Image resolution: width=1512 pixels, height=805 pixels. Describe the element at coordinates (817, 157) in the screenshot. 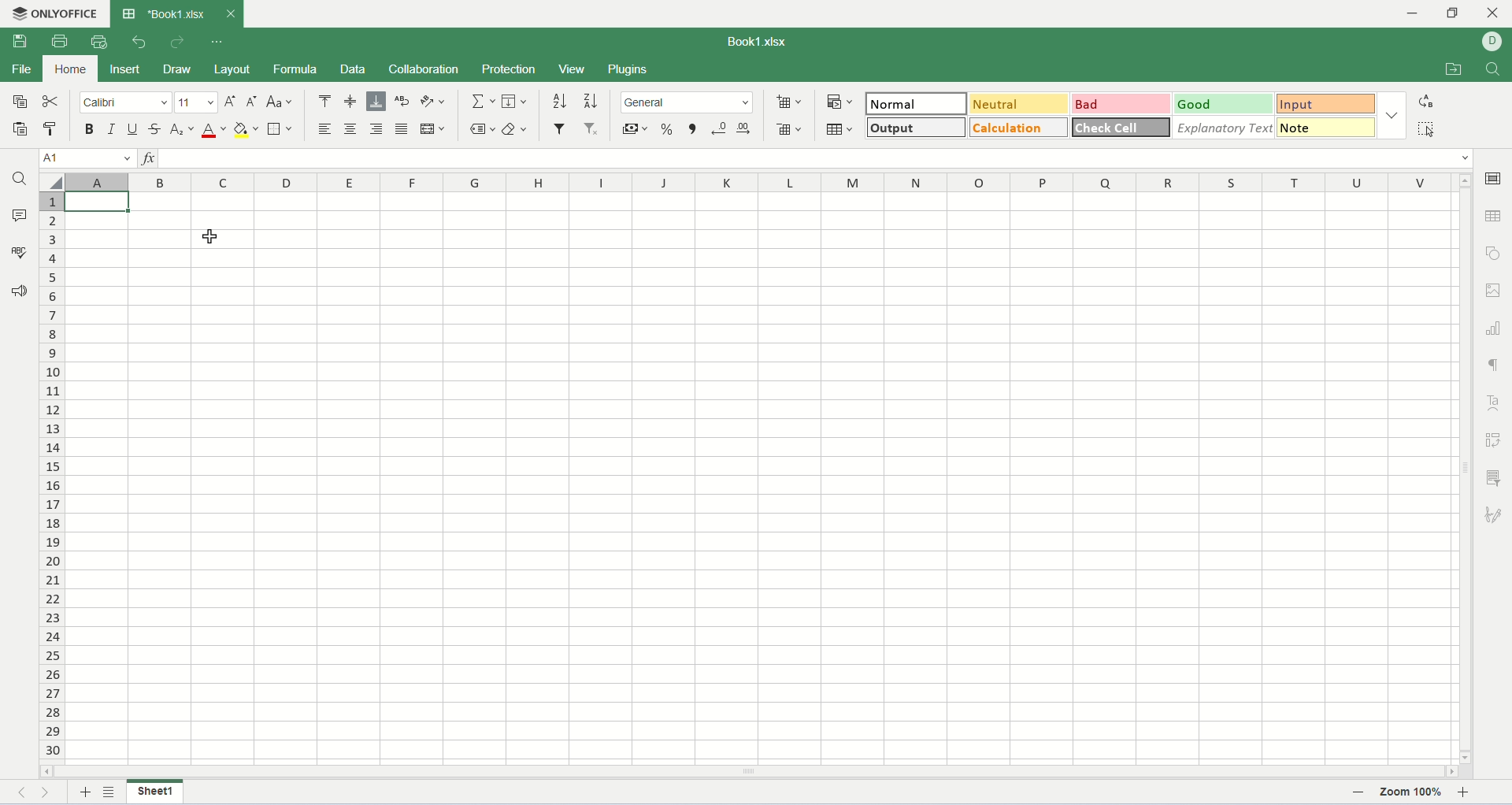

I see `input line` at that location.